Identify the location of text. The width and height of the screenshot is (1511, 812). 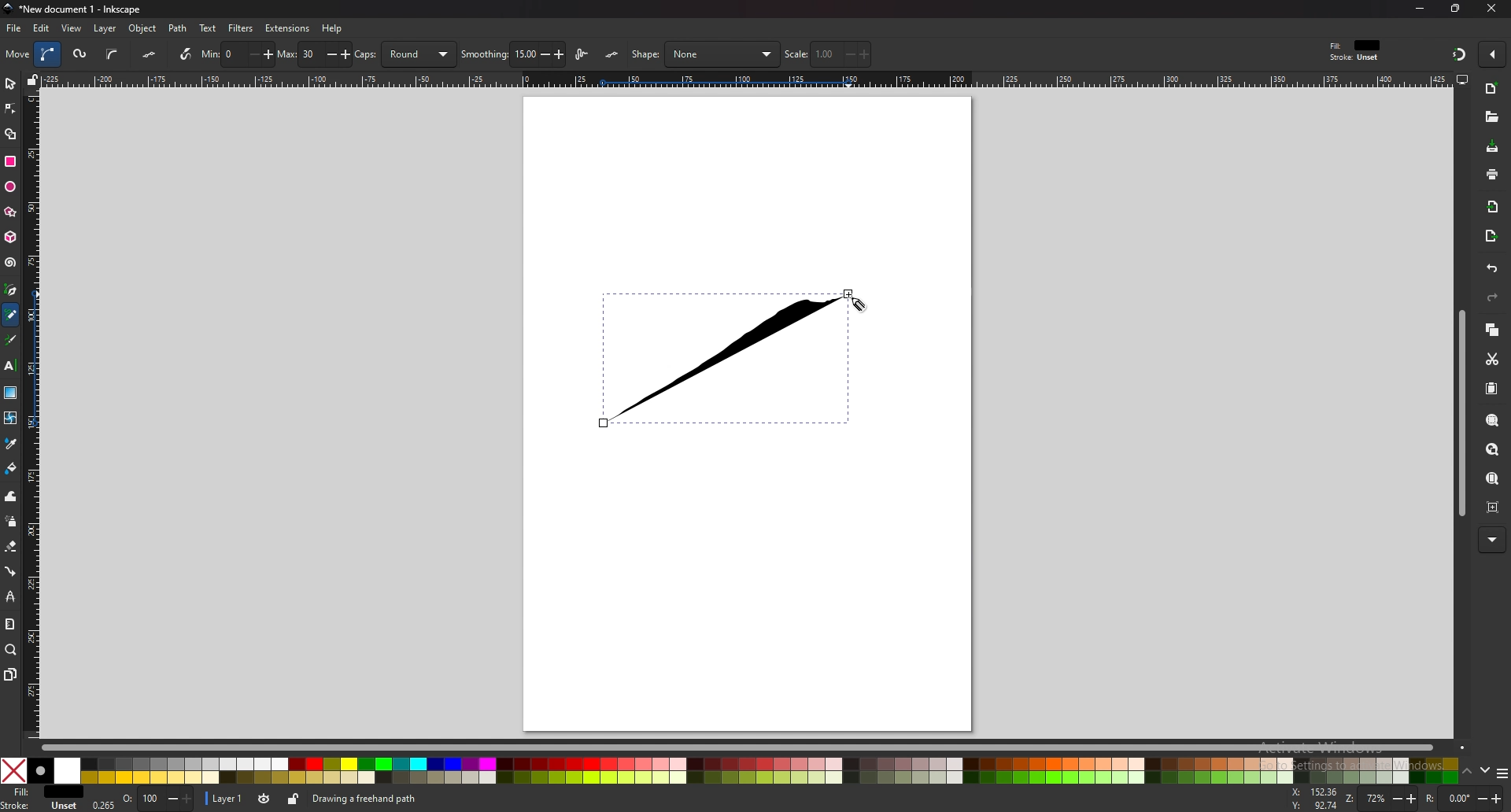
(209, 28).